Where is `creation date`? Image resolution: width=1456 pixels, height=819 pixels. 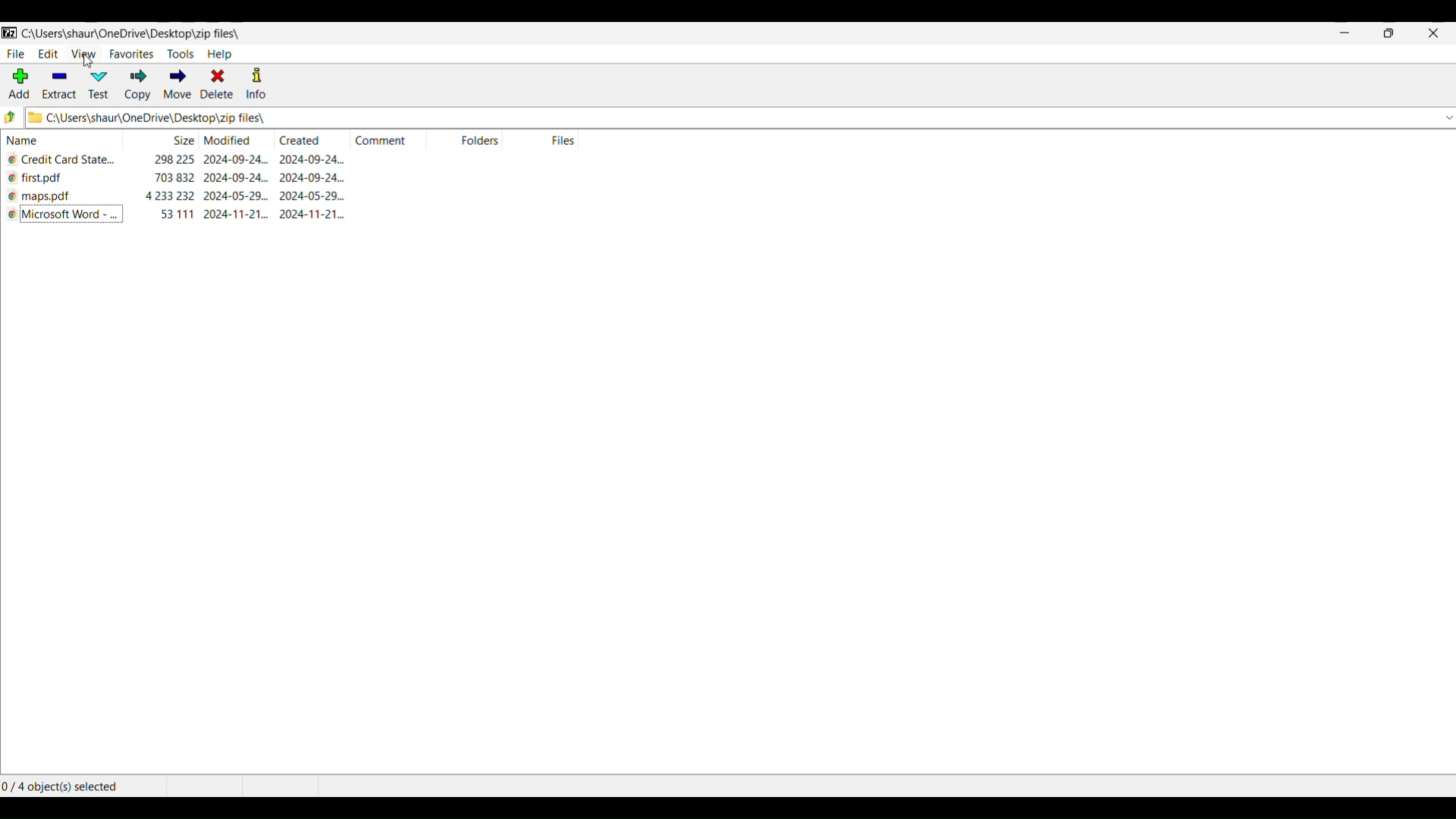 creation date is located at coordinates (317, 178).